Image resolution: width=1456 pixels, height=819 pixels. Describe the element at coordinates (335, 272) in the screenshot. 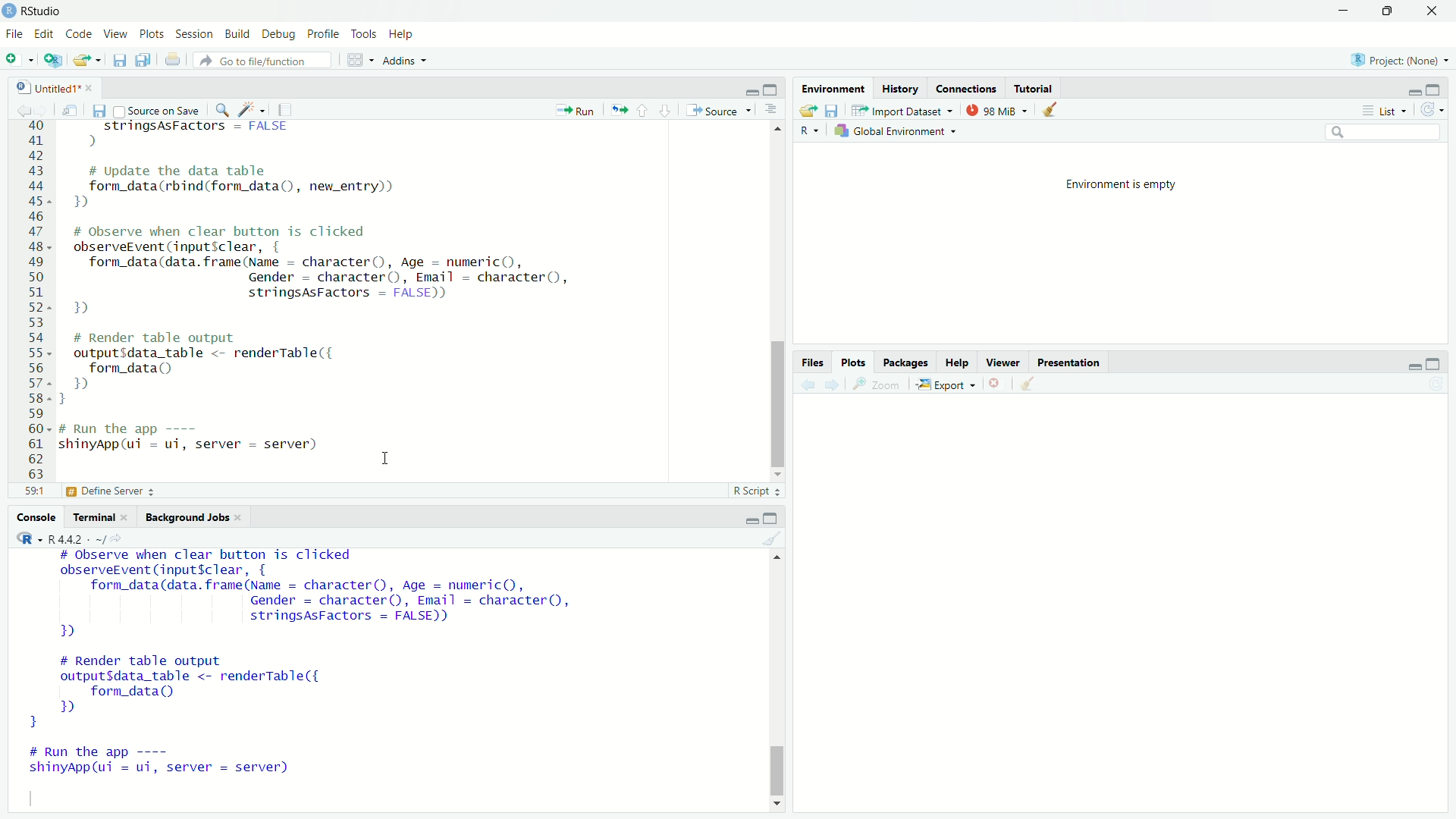

I see `code to observe when clear button is clicked` at that location.